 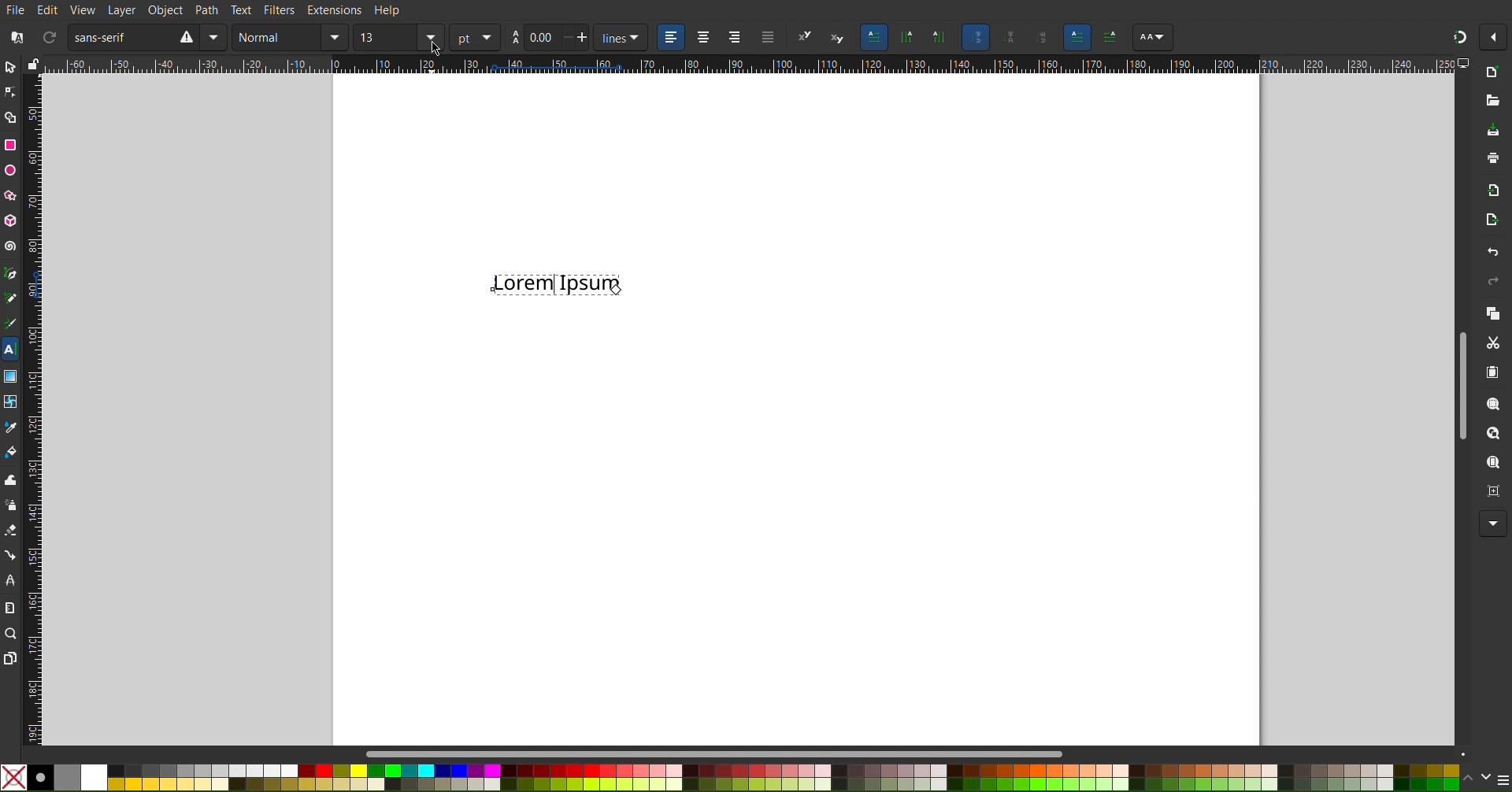 What do you see at coordinates (11, 93) in the screenshot?
I see `Node Tool` at bounding box center [11, 93].